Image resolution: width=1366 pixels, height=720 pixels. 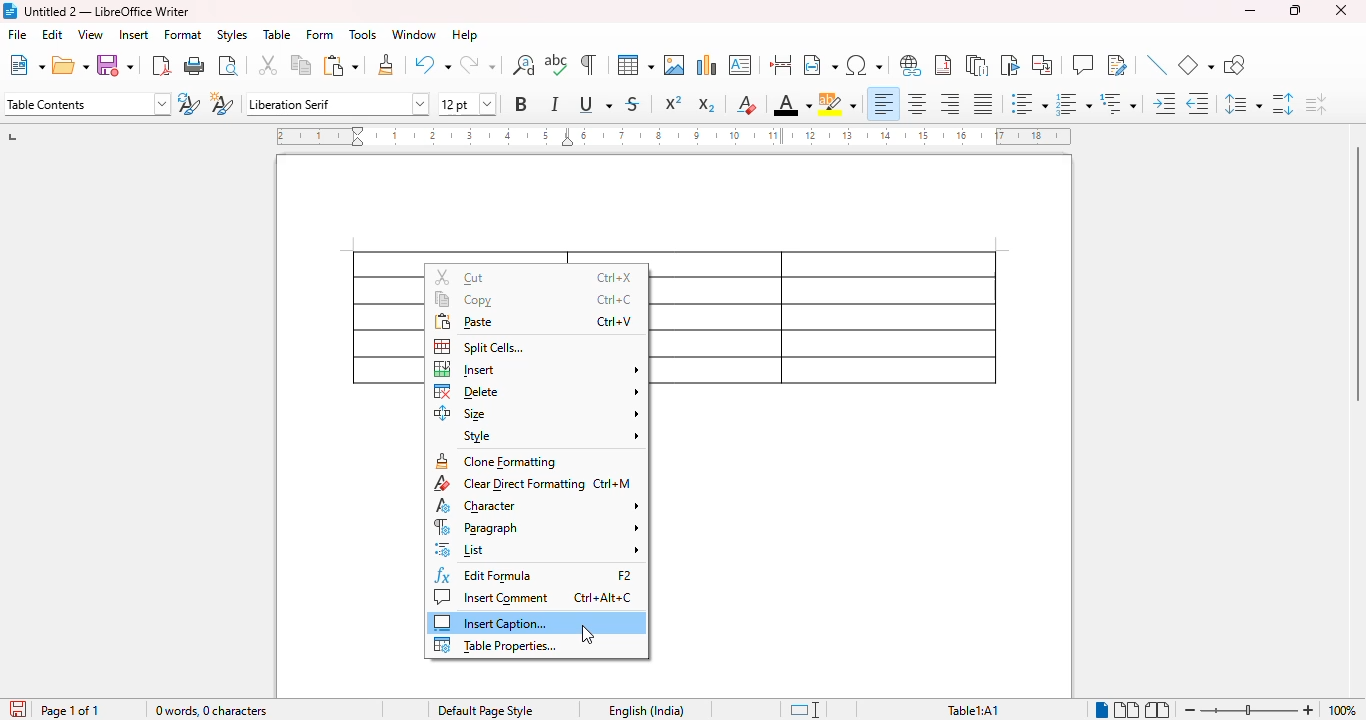 What do you see at coordinates (1235, 64) in the screenshot?
I see `show draw functions` at bounding box center [1235, 64].